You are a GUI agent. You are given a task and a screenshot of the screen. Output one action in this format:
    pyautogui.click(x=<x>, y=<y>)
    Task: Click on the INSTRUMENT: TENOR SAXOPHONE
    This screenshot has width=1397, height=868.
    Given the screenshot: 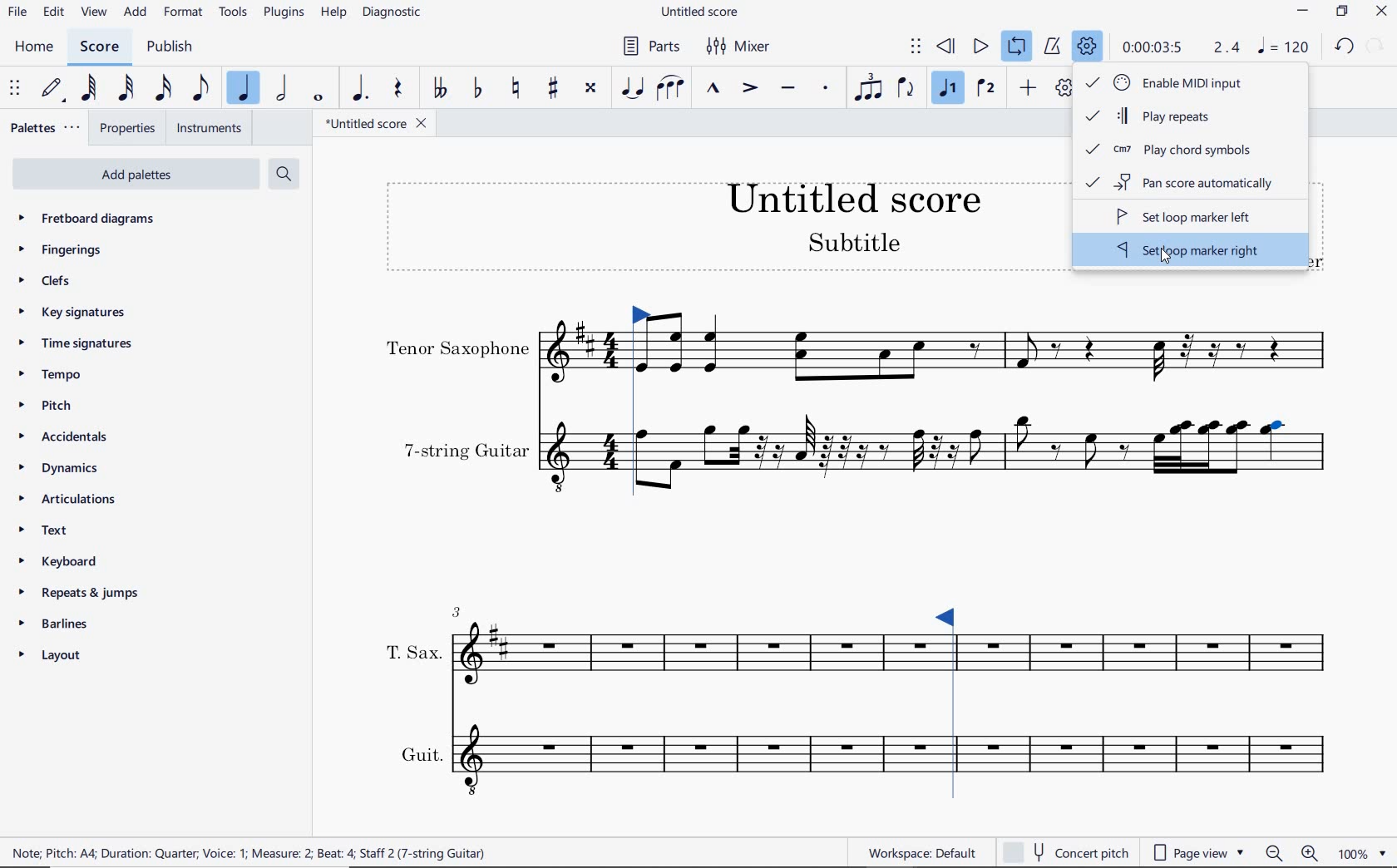 What is the action you would take?
    pyautogui.click(x=496, y=348)
    